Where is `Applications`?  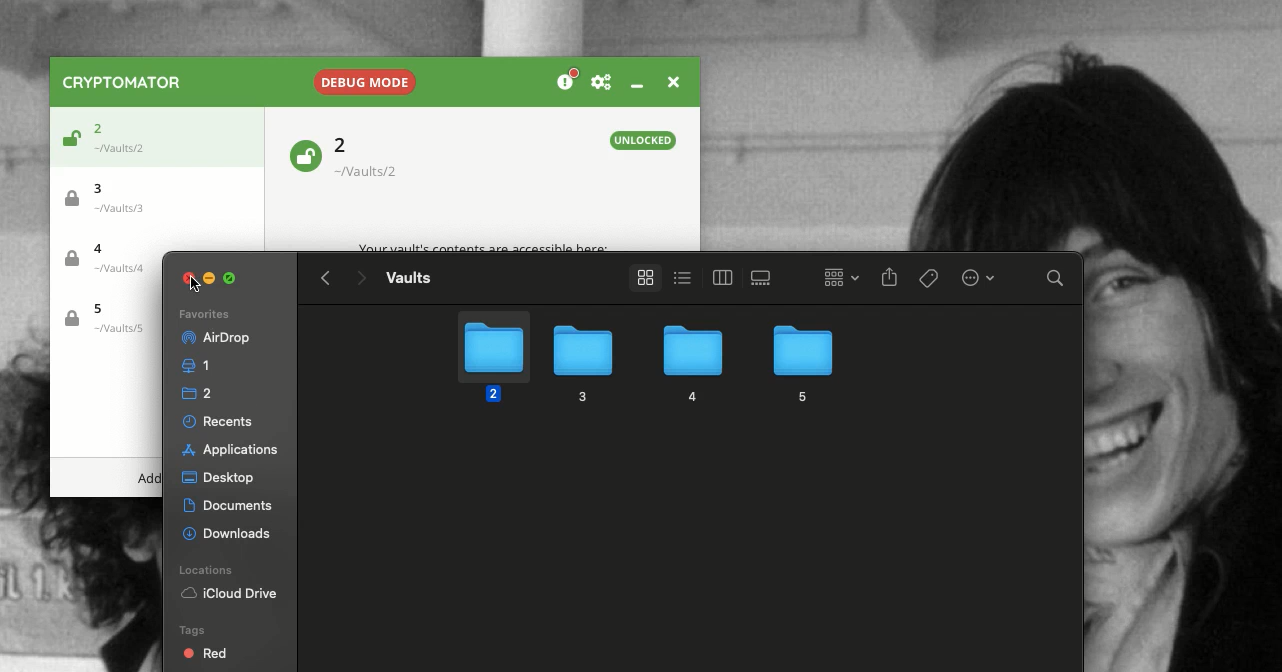 Applications is located at coordinates (227, 422).